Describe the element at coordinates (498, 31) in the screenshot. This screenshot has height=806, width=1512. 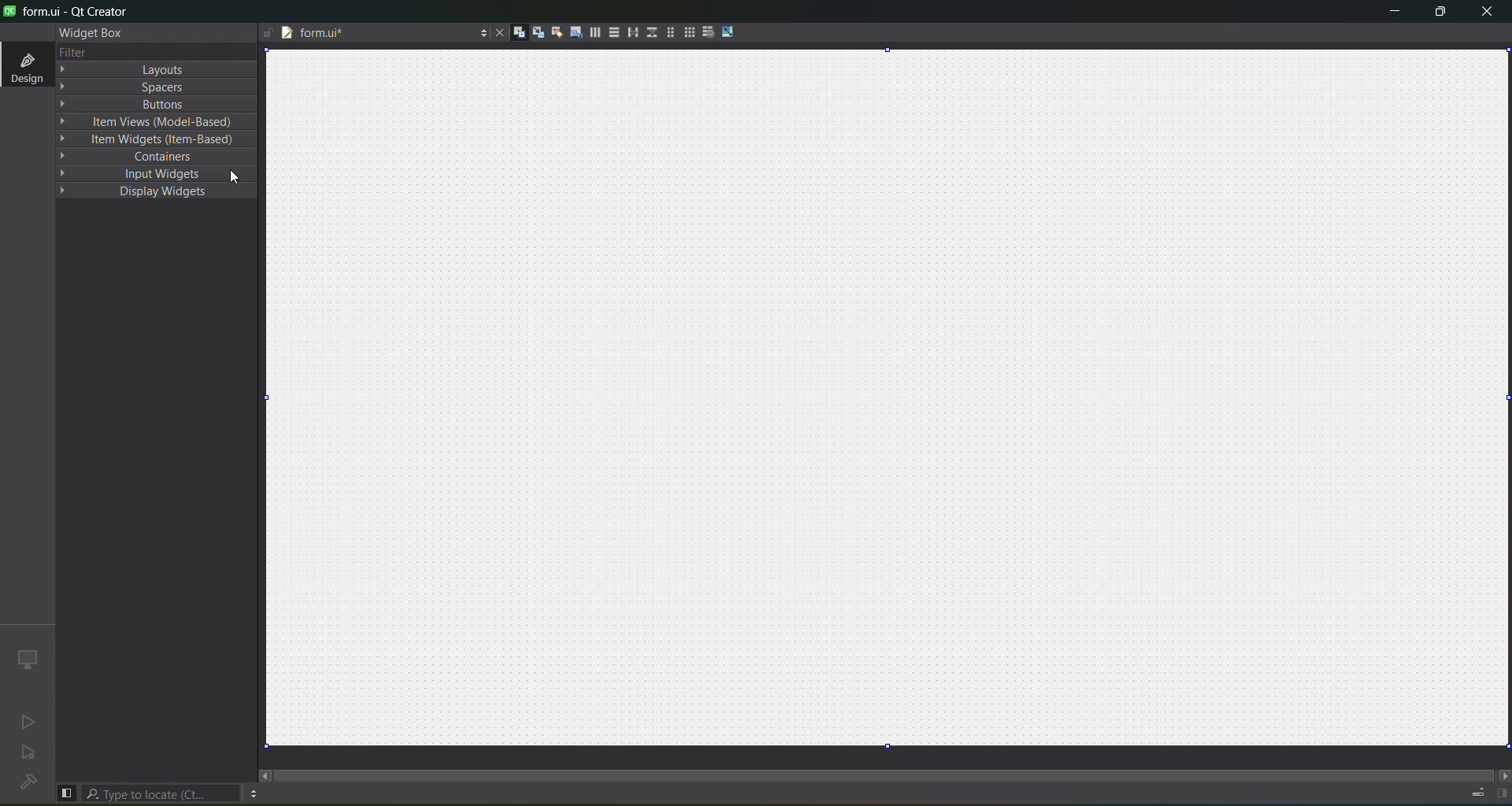
I see `close document` at that location.